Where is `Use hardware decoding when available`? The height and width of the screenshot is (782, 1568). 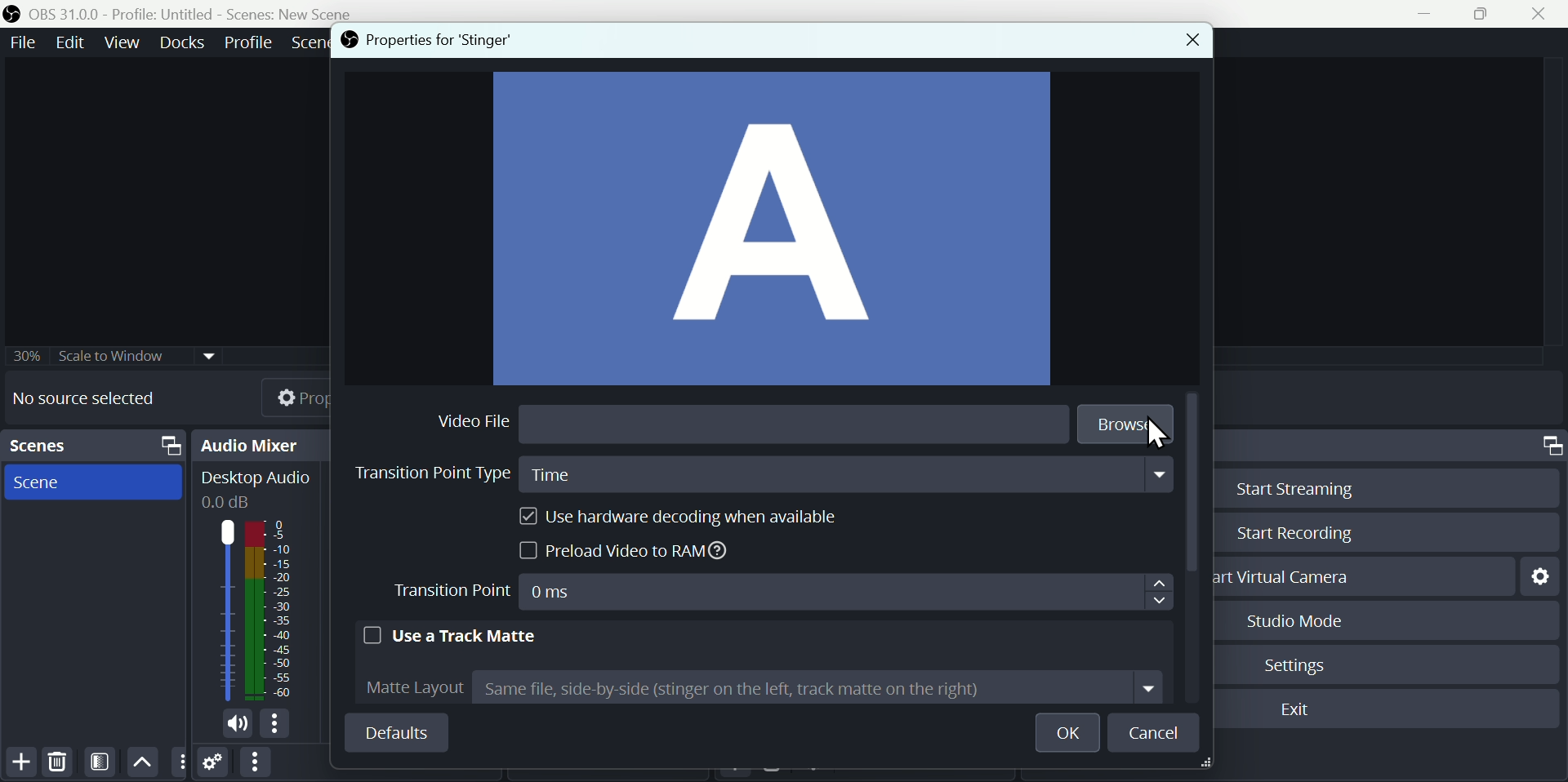 Use hardware decoding when available is located at coordinates (671, 517).